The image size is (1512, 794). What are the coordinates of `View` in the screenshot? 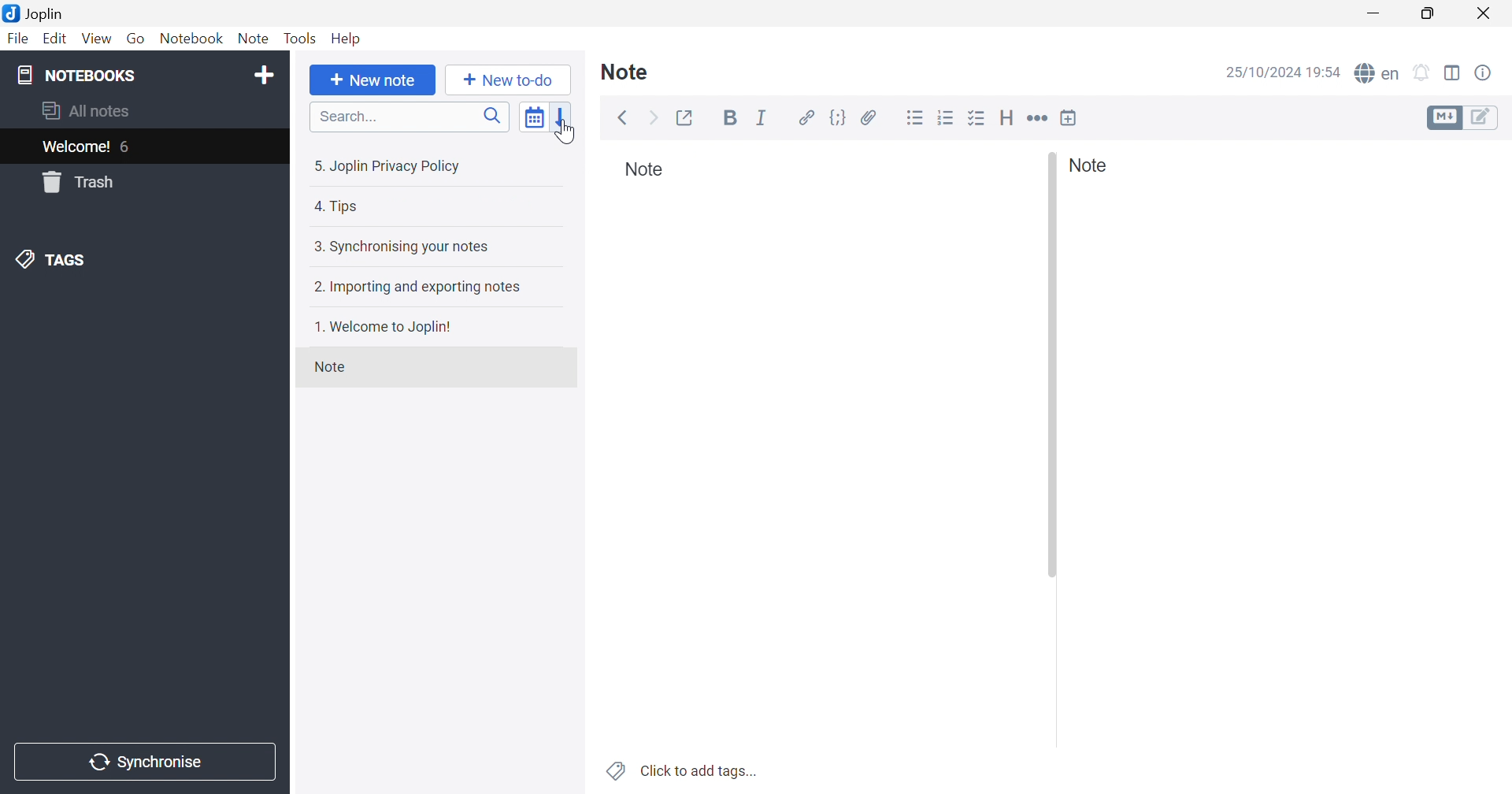 It's located at (96, 39).